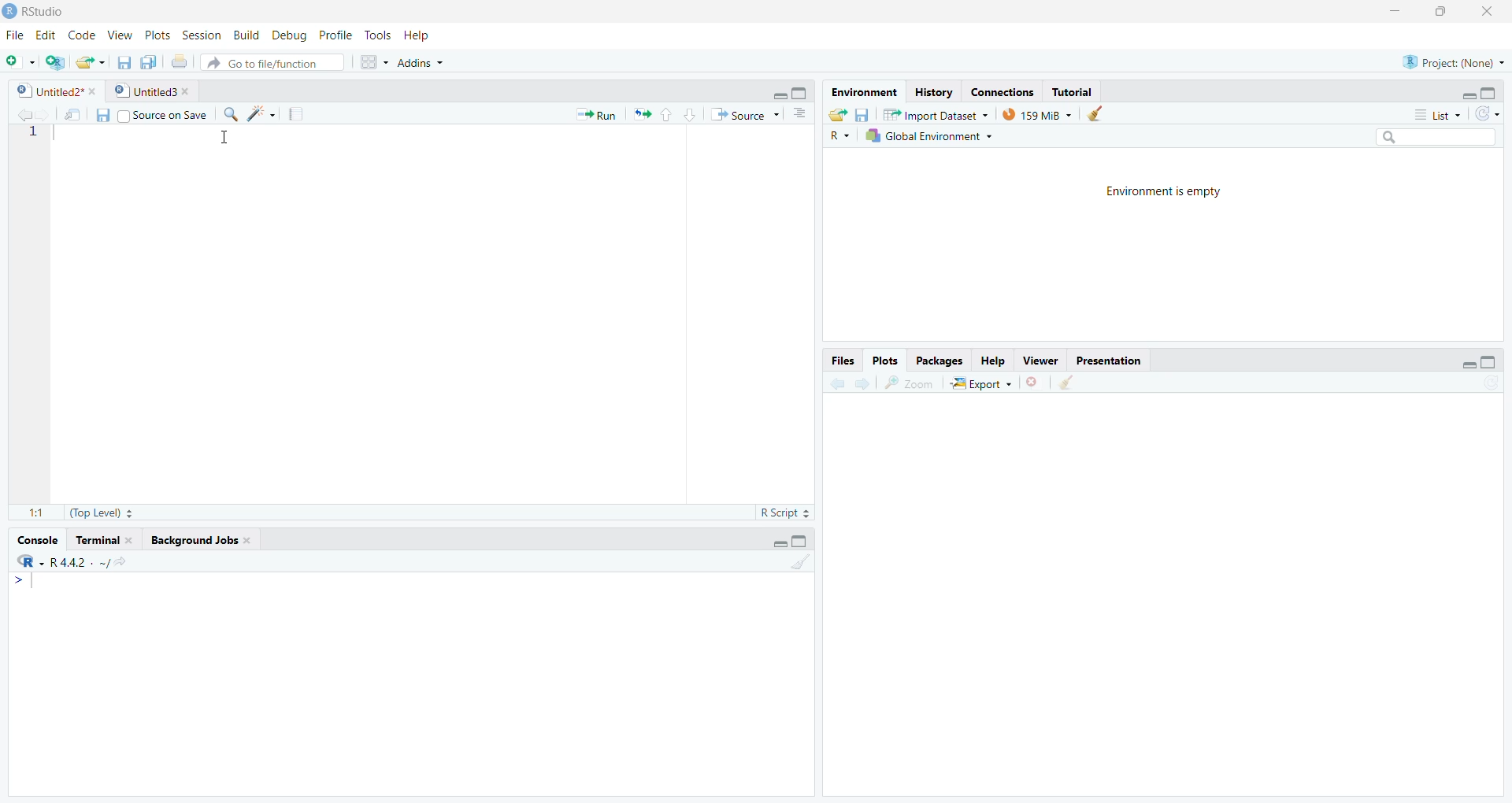 This screenshot has height=803, width=1512. Describe the element at coordinates (301, 115) in the screenshot. I see `Compile Report` at that location.